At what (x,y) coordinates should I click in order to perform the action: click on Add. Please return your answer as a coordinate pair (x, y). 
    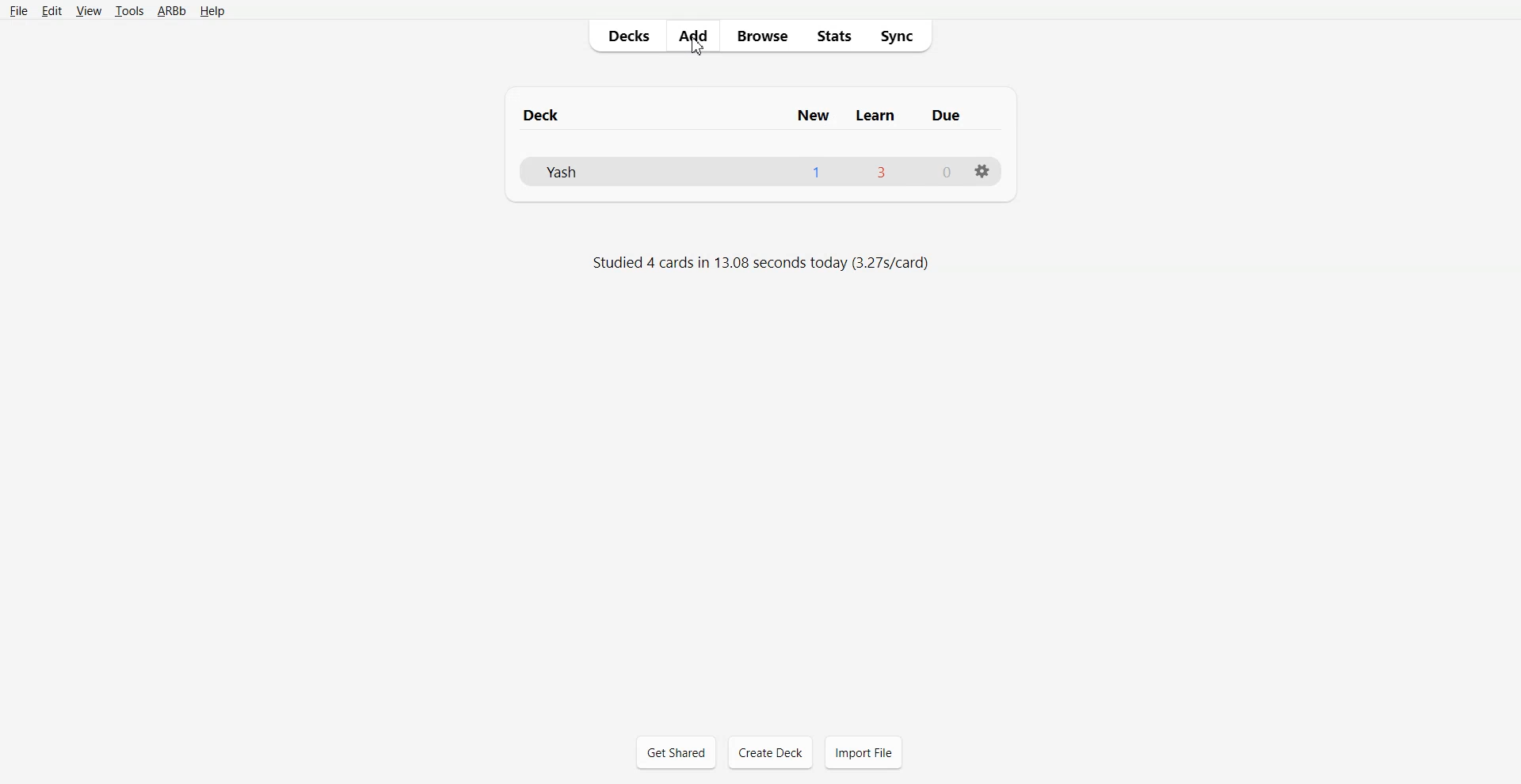
    Looking at the image, I should click on (694, 36).